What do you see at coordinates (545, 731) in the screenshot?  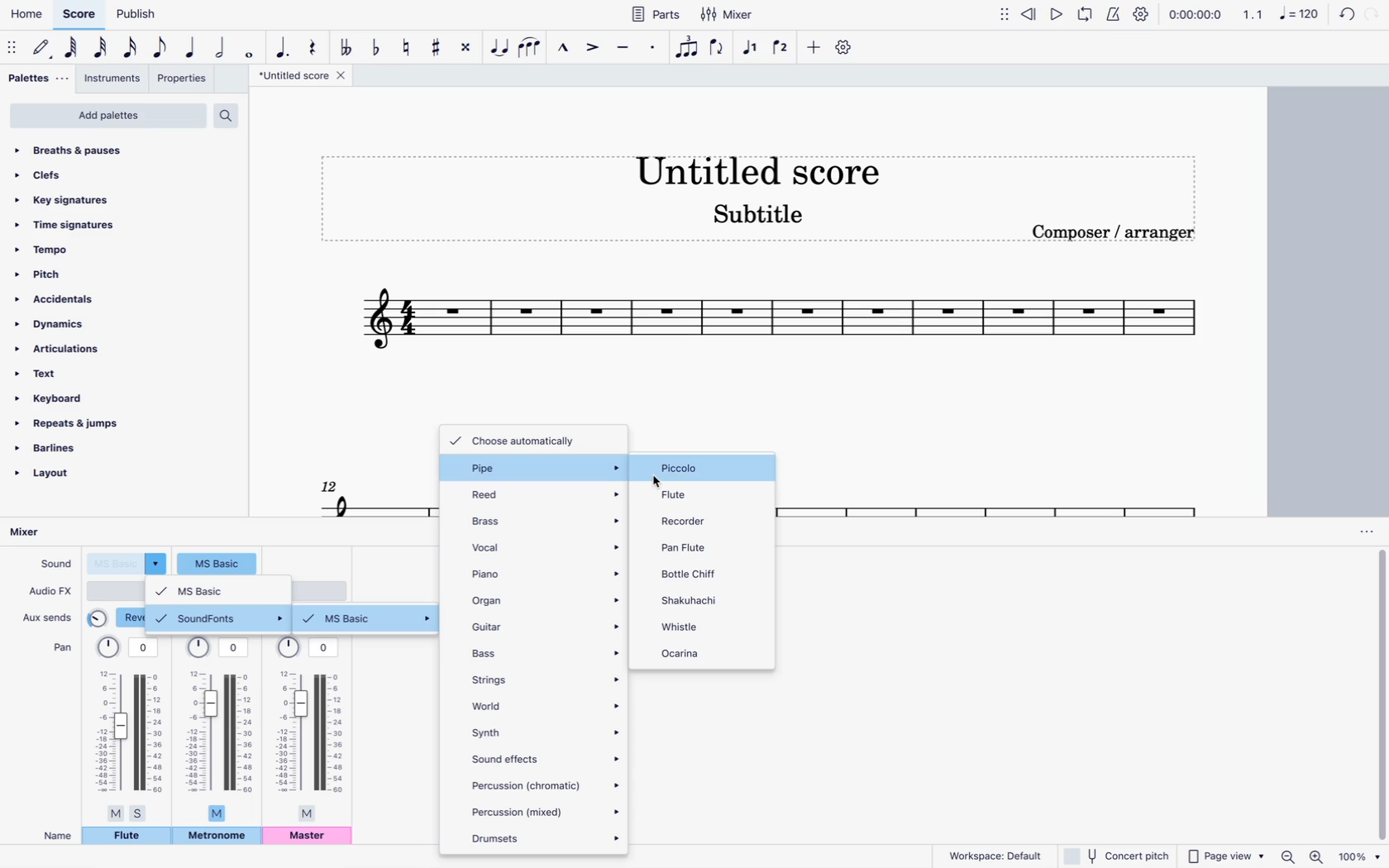 I see `synth` at bounding box center [545, 731].